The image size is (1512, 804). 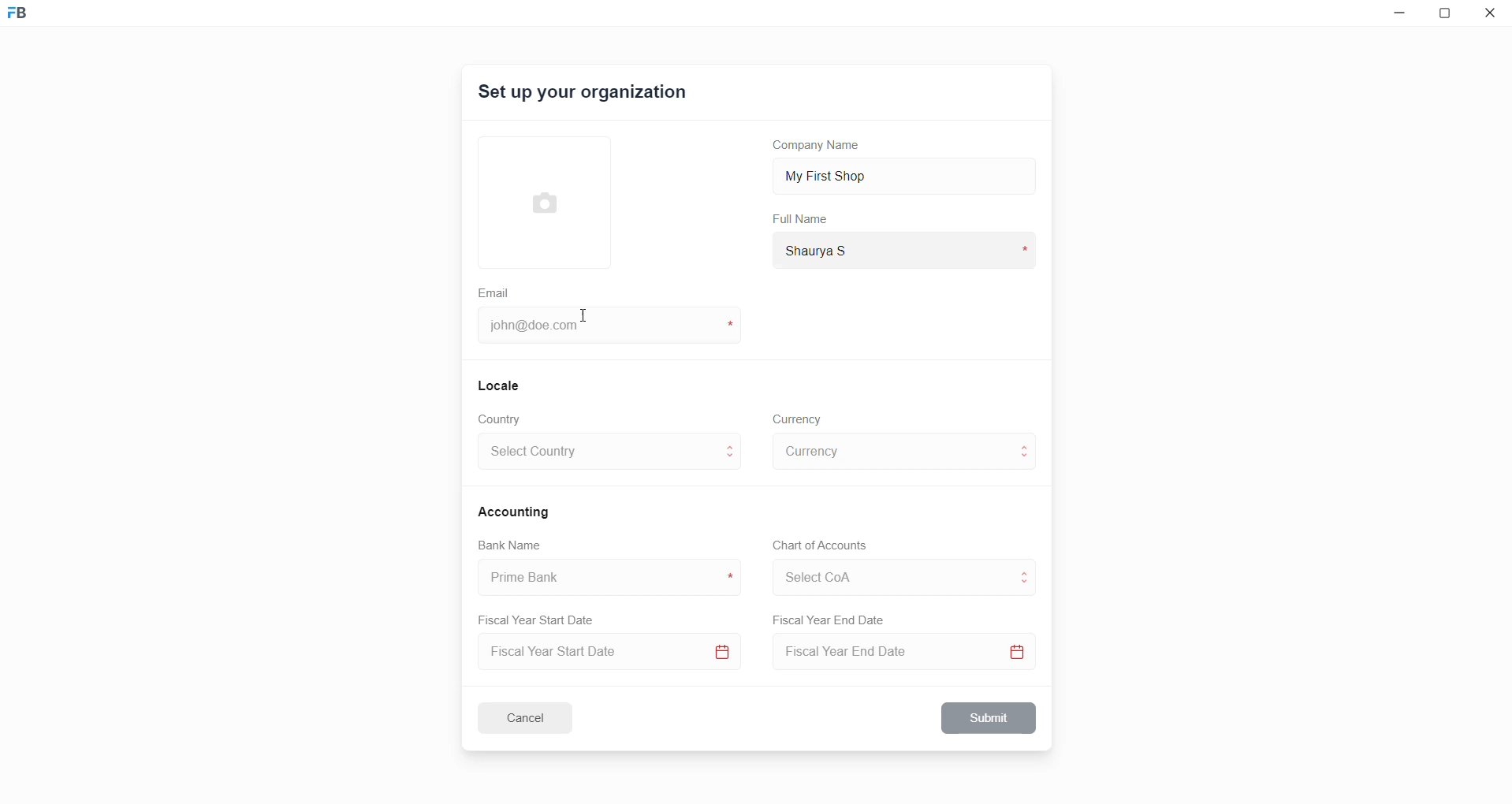 I want to click on Currency, so click(x=799, y=418).